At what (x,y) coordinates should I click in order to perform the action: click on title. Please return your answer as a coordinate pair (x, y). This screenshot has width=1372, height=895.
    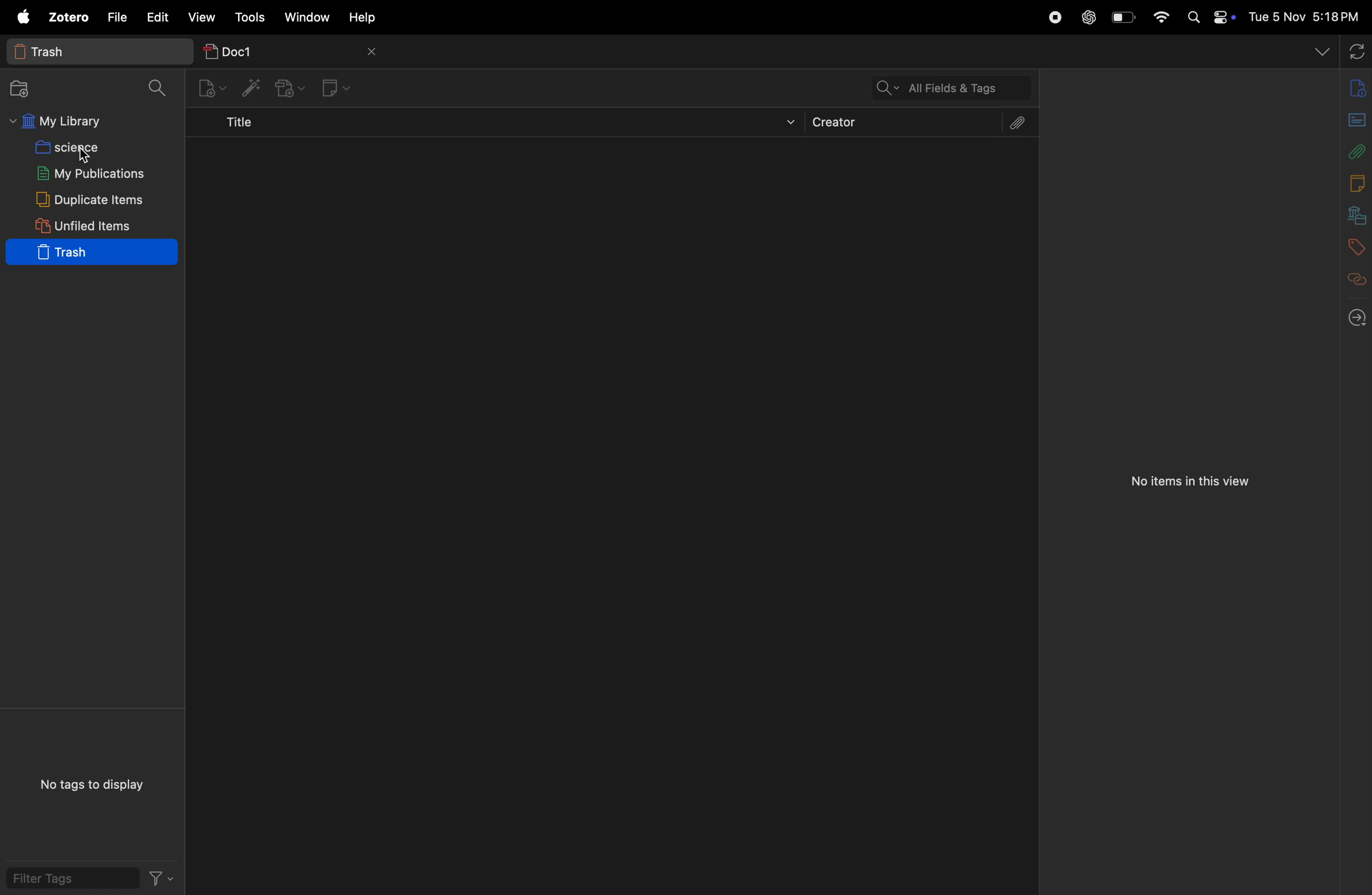
    Looking at the image, I should click on (500, 125).